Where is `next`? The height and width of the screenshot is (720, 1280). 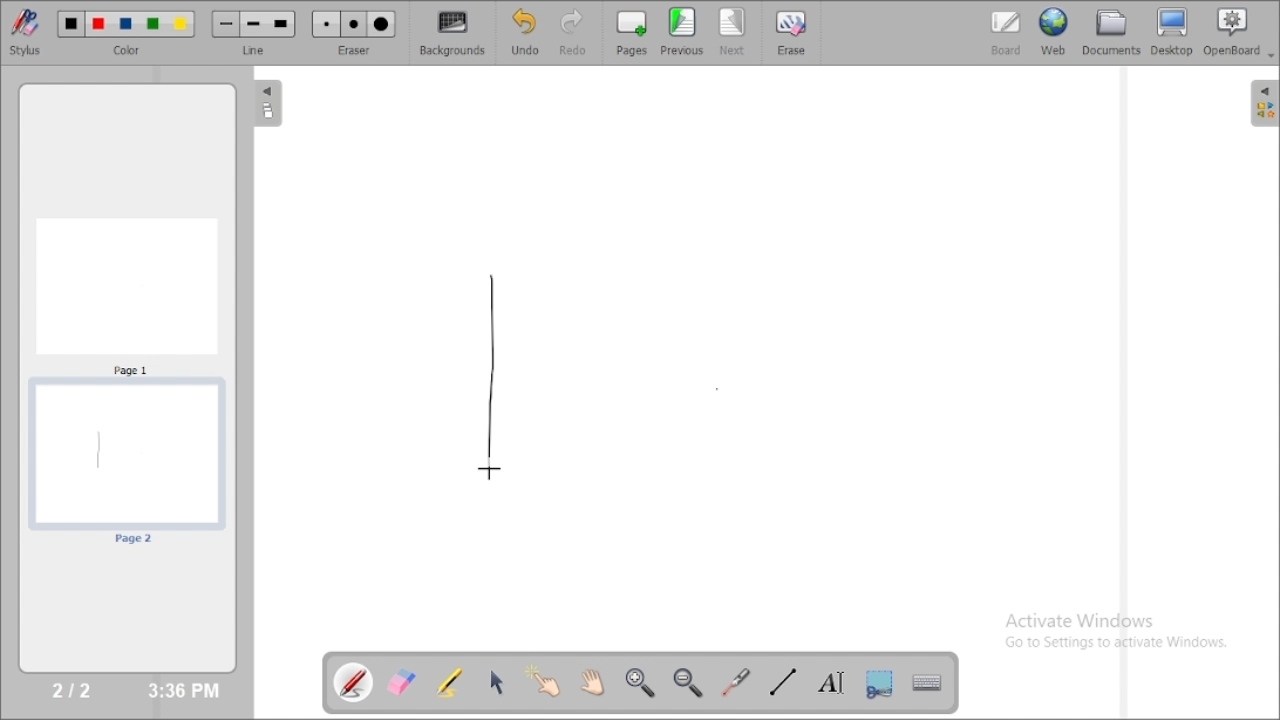
next is located at coordinates (733, 32).